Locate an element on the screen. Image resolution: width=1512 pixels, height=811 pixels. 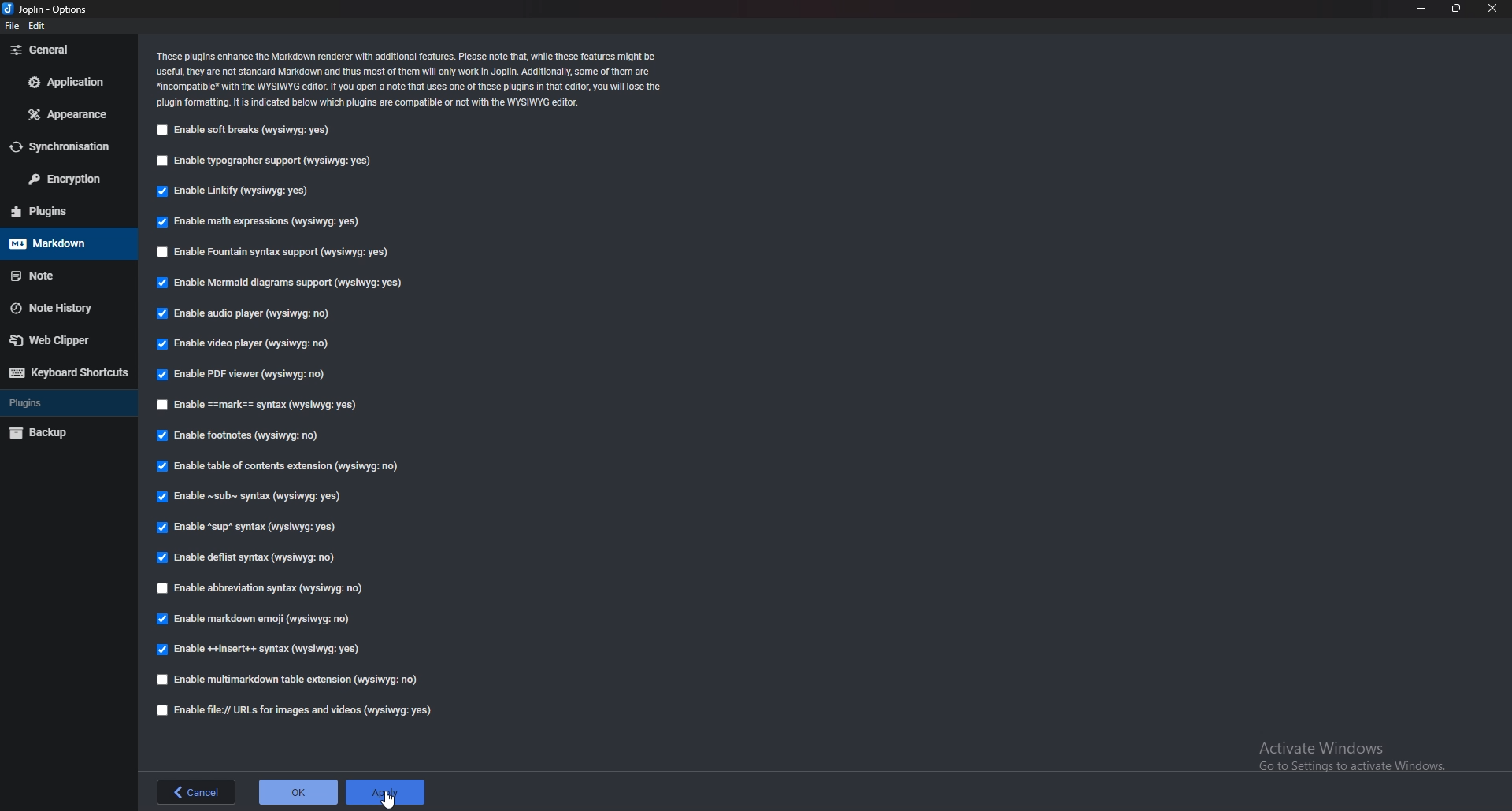
enable multimarkdown table extension is located at coordinates (289, 680).